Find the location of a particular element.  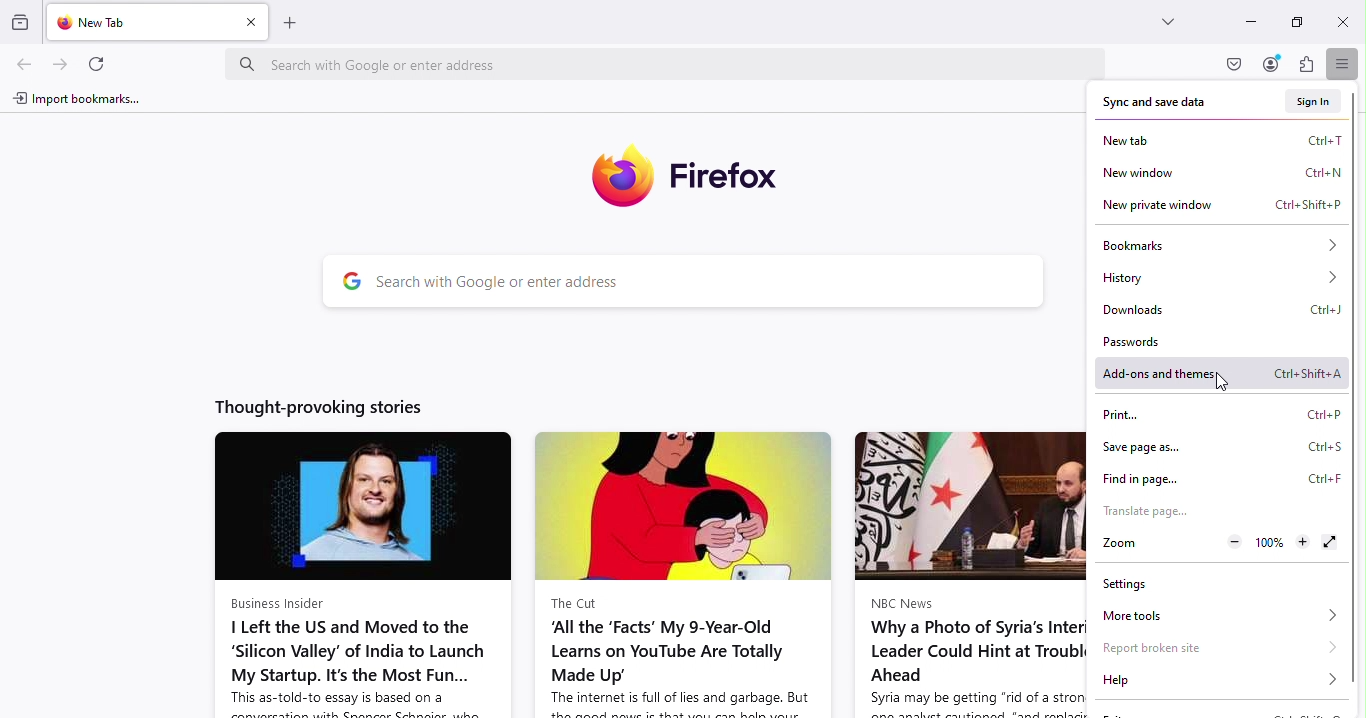

Zoom out is located at coordinates (1232, 544).